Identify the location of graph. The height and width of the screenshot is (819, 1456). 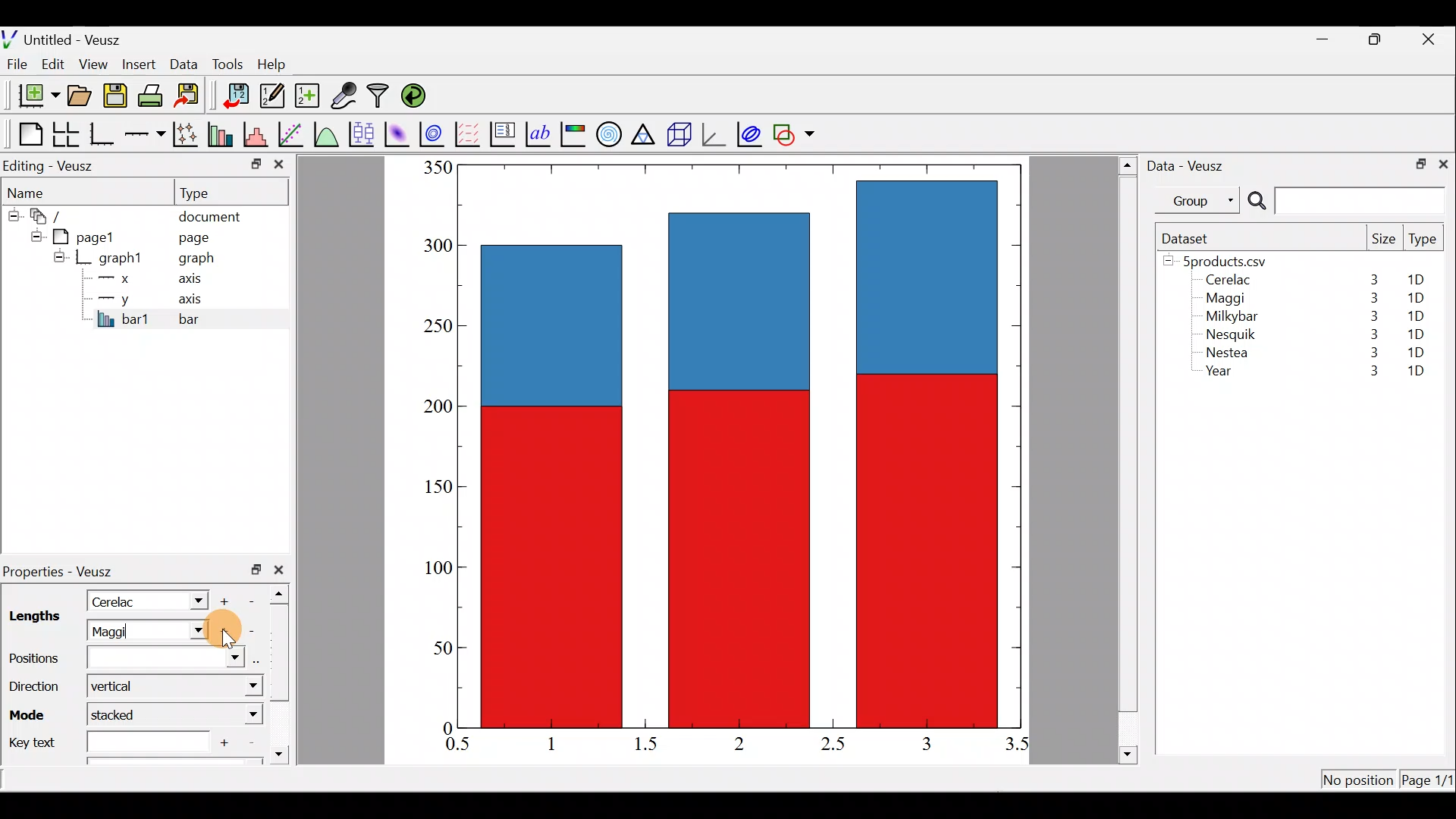
(196, 260).